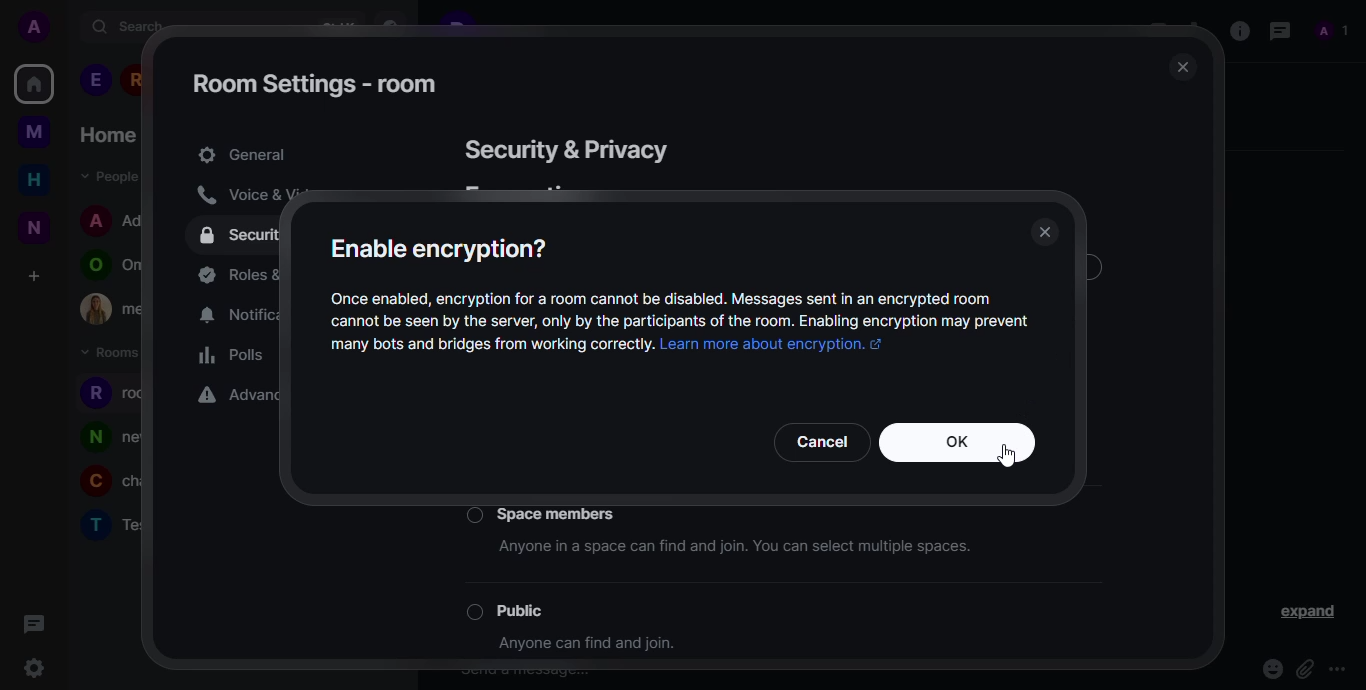 This screenshot has height=690, width=1366. I want to click on space members button, so click(546, 513).